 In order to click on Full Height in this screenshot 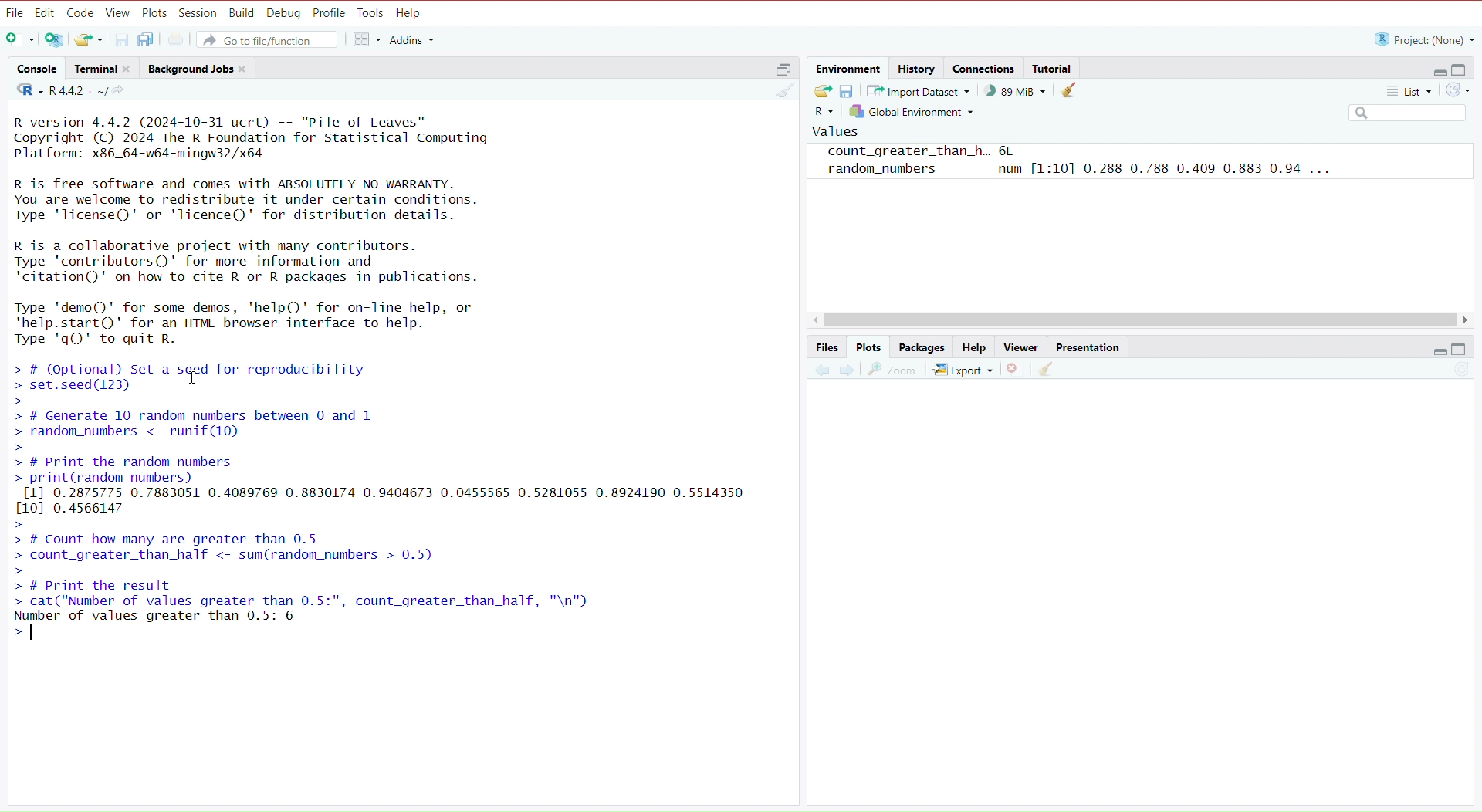, I will do `click(1461, 68)`.